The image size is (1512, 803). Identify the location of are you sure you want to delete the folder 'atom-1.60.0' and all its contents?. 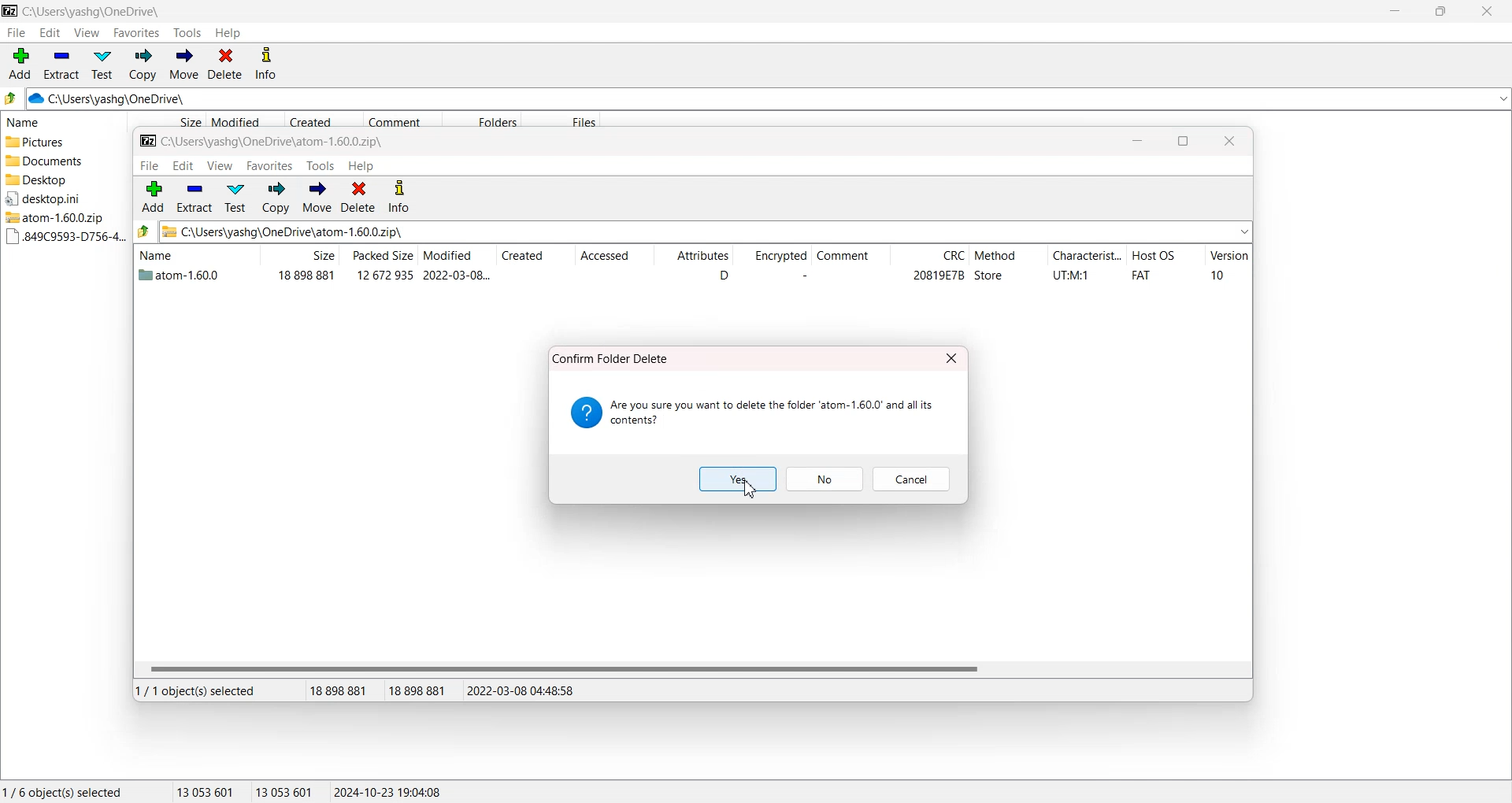
(754, 413).